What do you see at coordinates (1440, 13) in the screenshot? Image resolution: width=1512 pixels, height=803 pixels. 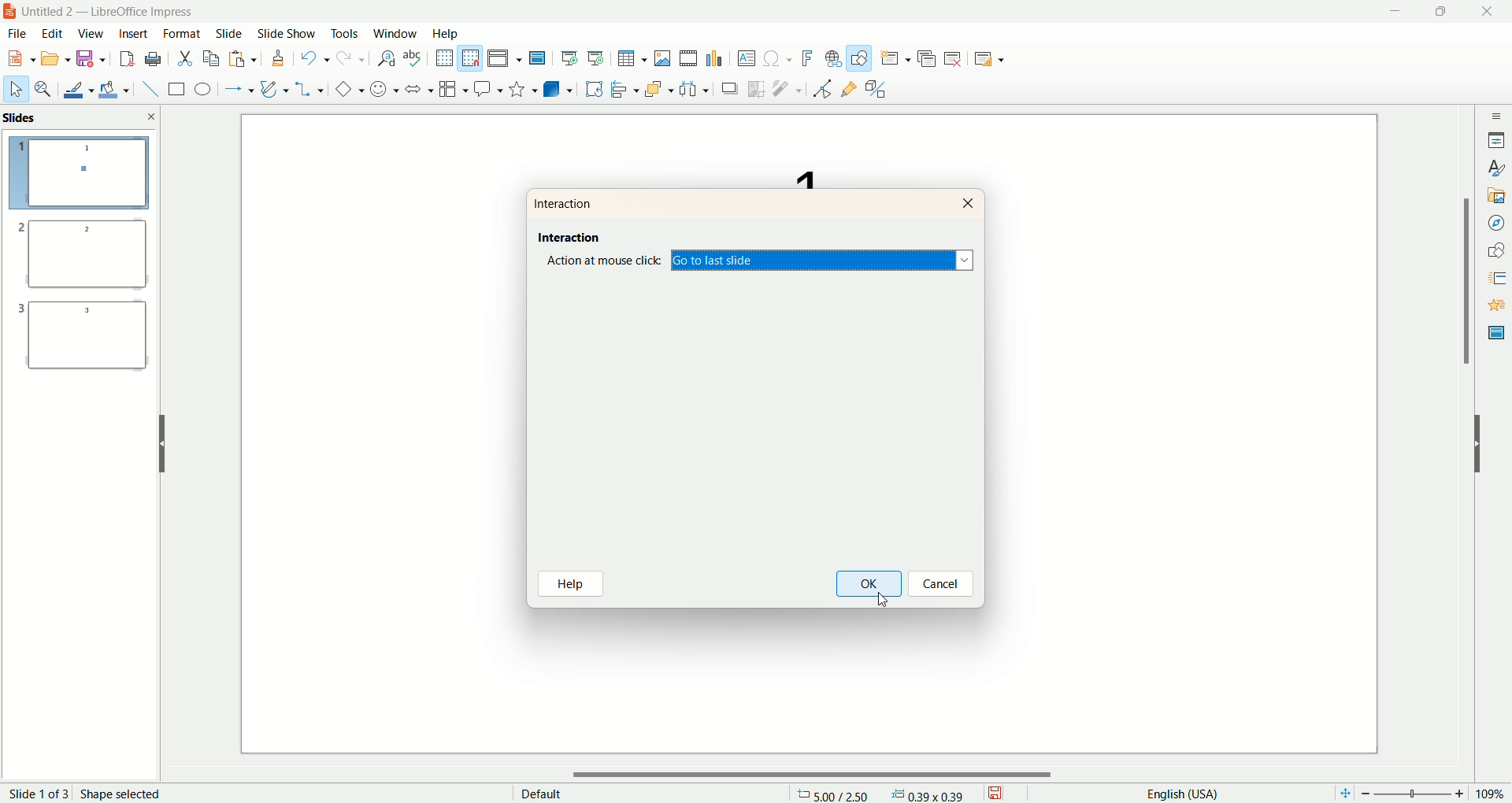 I see `maximize` at bounding box center [1440, 13].